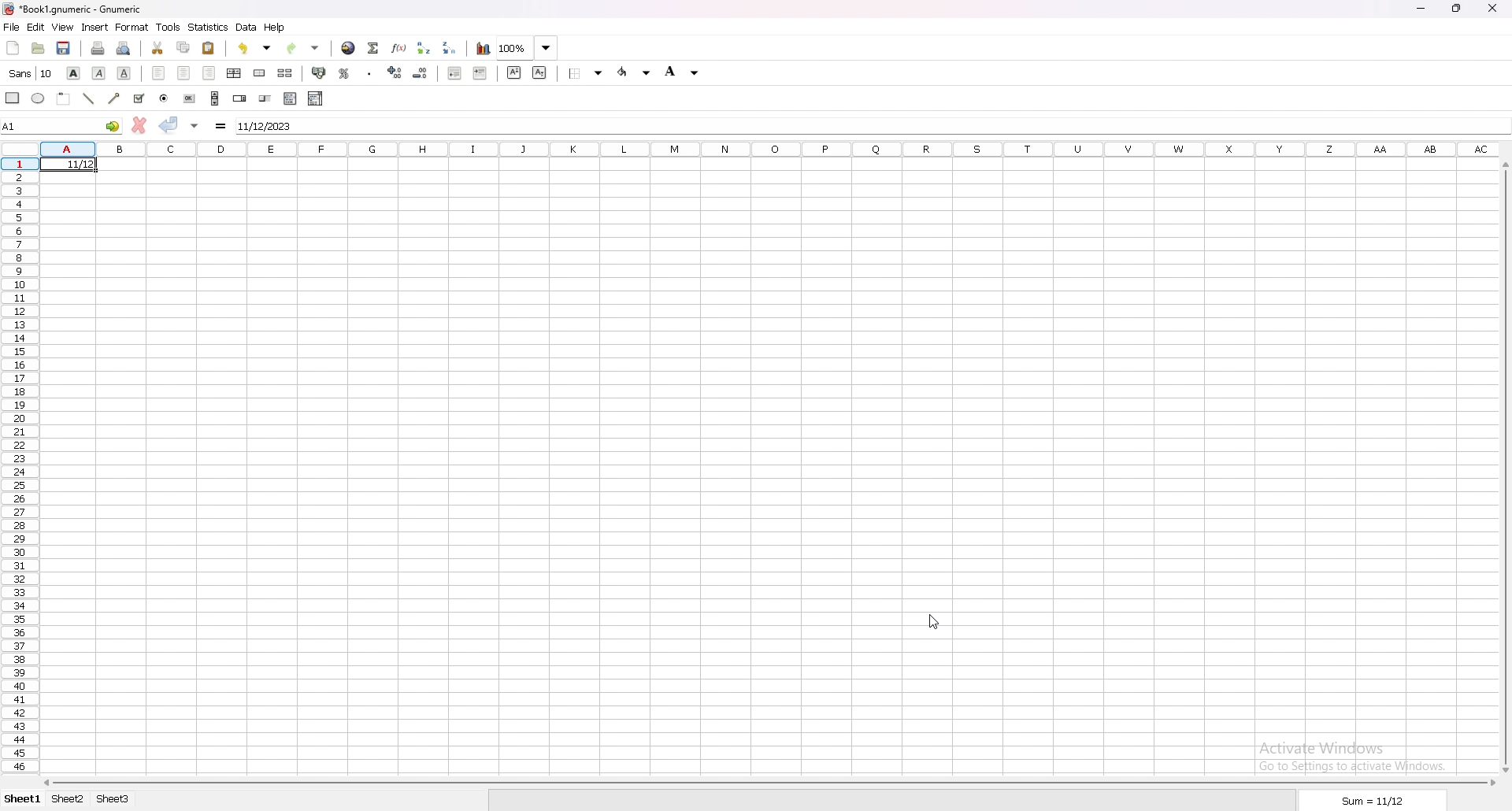 Image resolution: width=1512 pixels, height=811 pixels. I want to click on sort descending, so click(451, 47).